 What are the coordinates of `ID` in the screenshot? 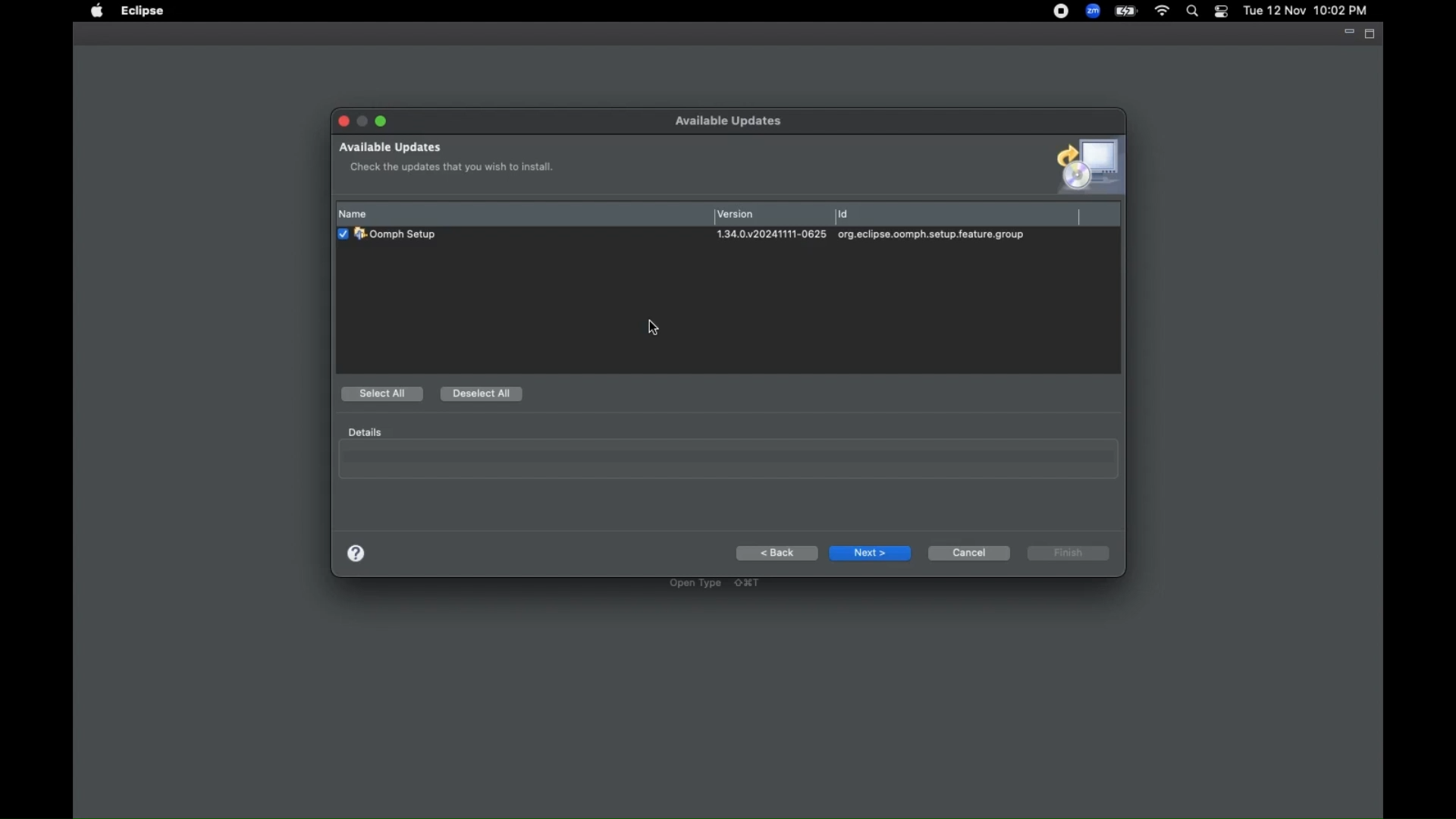 It's located at (957, 215).